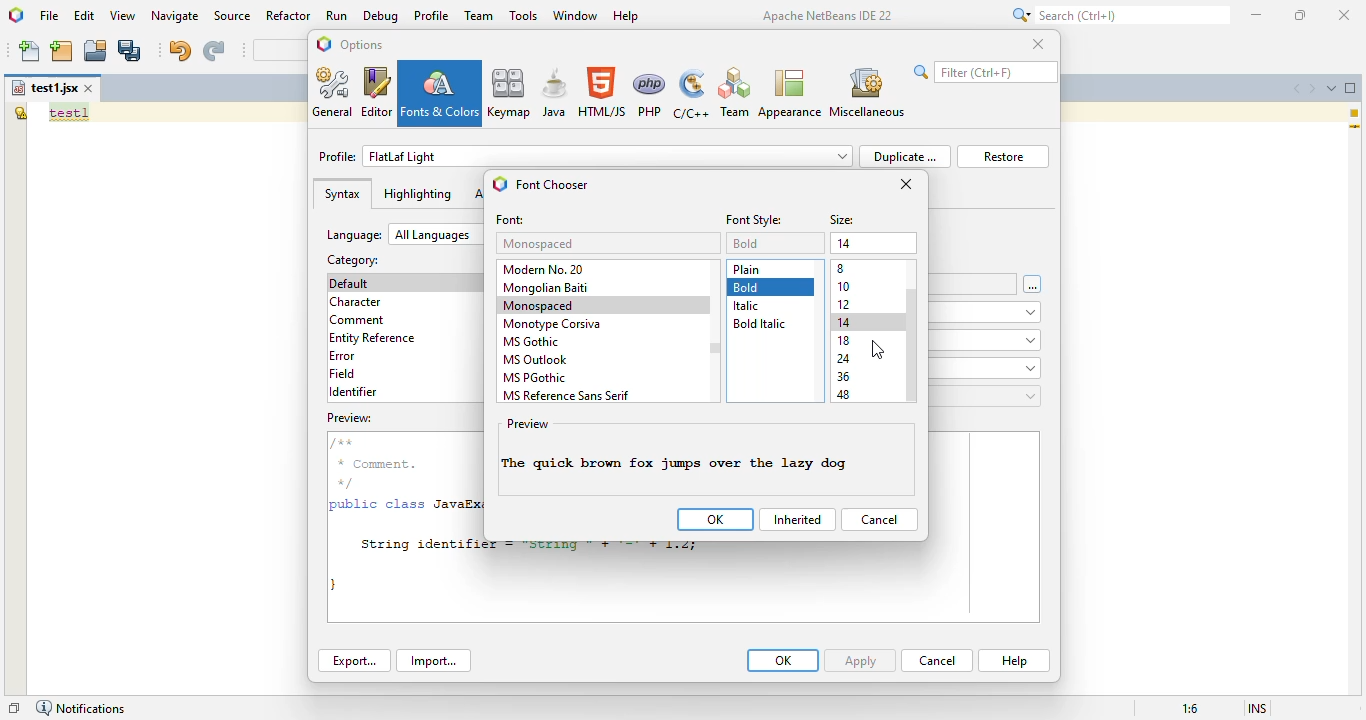  Describe the element at coordinates (511, 221) in the screenshot. I see `font: ` at that location.